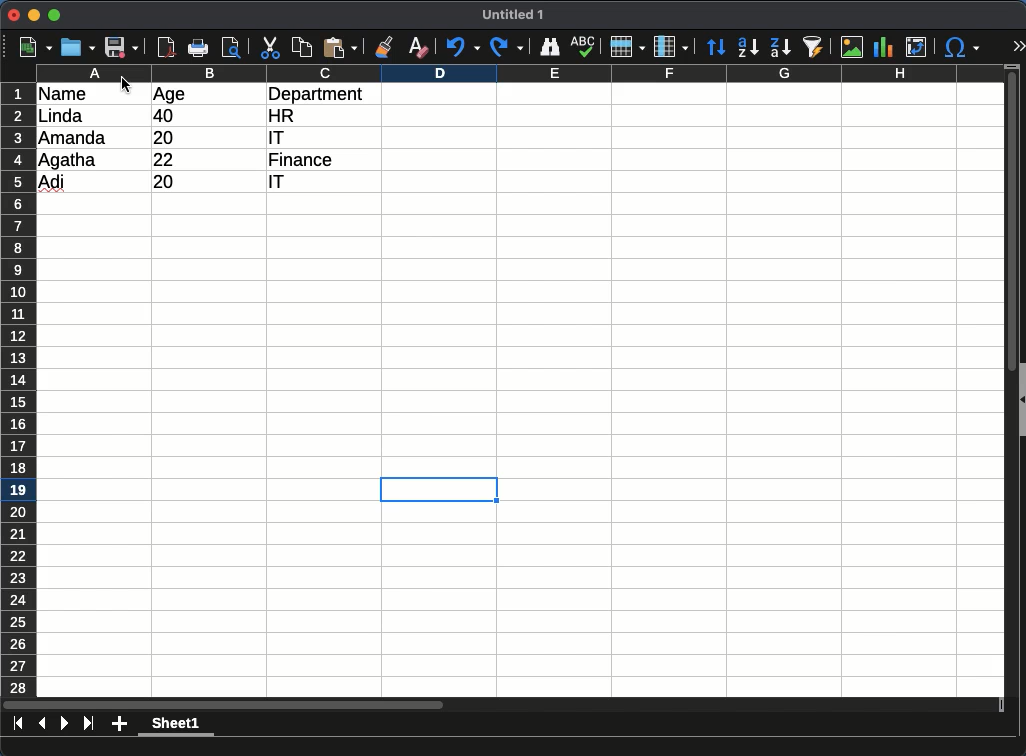 The width and height of the screenshot is (1026, 756). What do you see at coordinates (340, 47) in the screenshot?
I see `paste` at bounding box center [340, 47].